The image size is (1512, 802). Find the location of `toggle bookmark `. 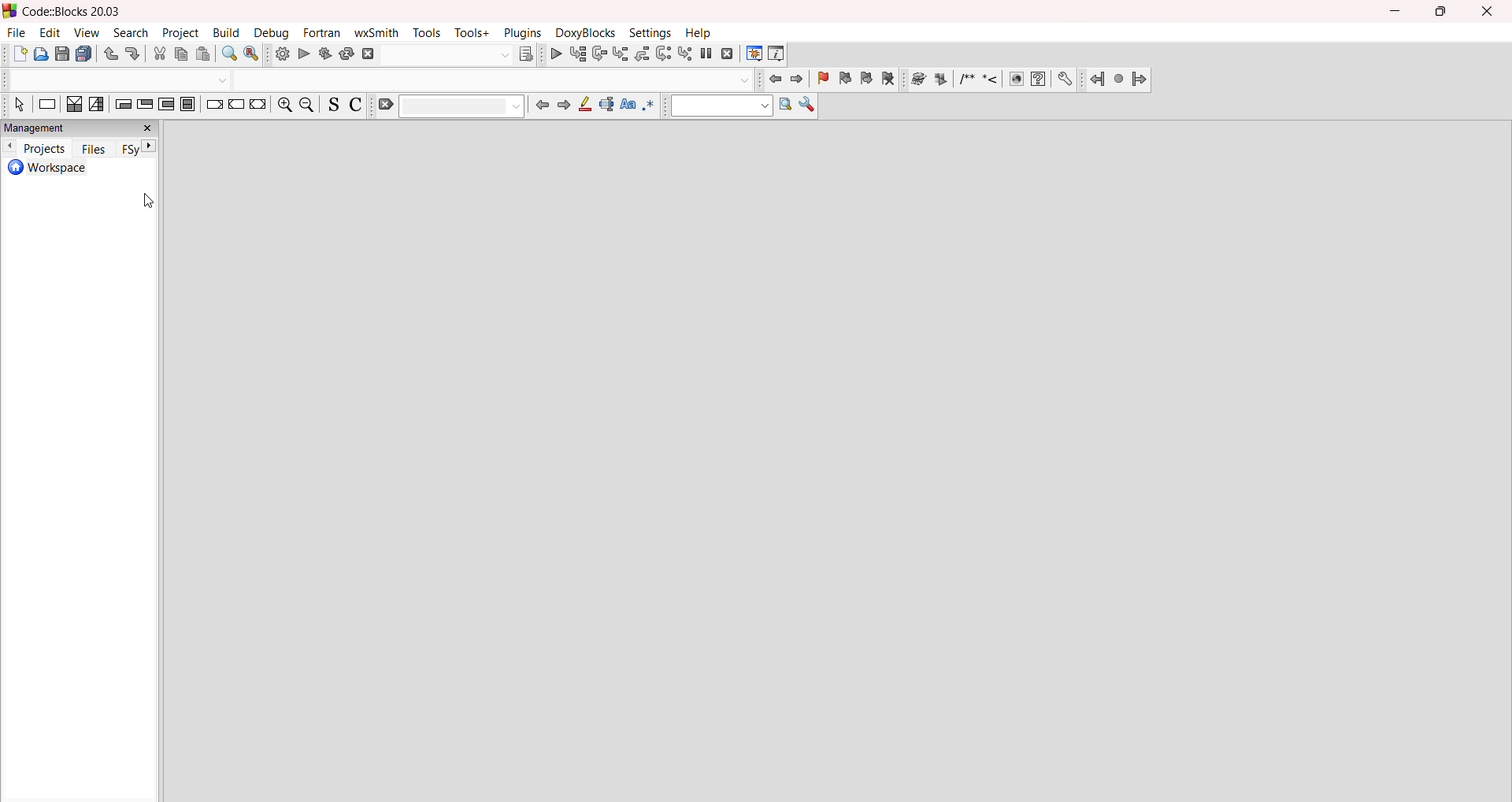

toggle bookmark  is located at coordinates (822, 80).